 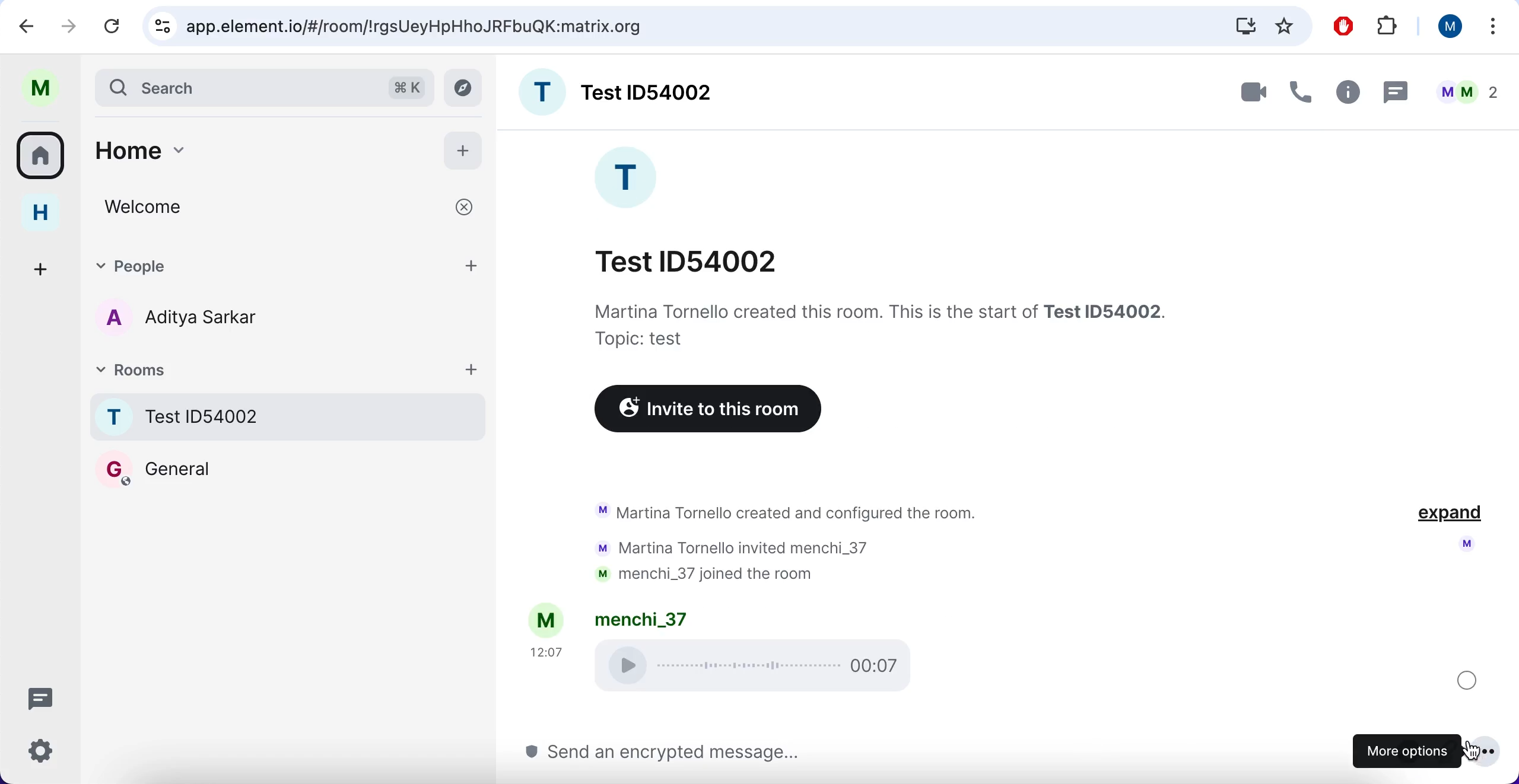 What do you see at coordinates (1476, 754) in the screenshot?
I see `cursor` at bounding box center [1476, 754].